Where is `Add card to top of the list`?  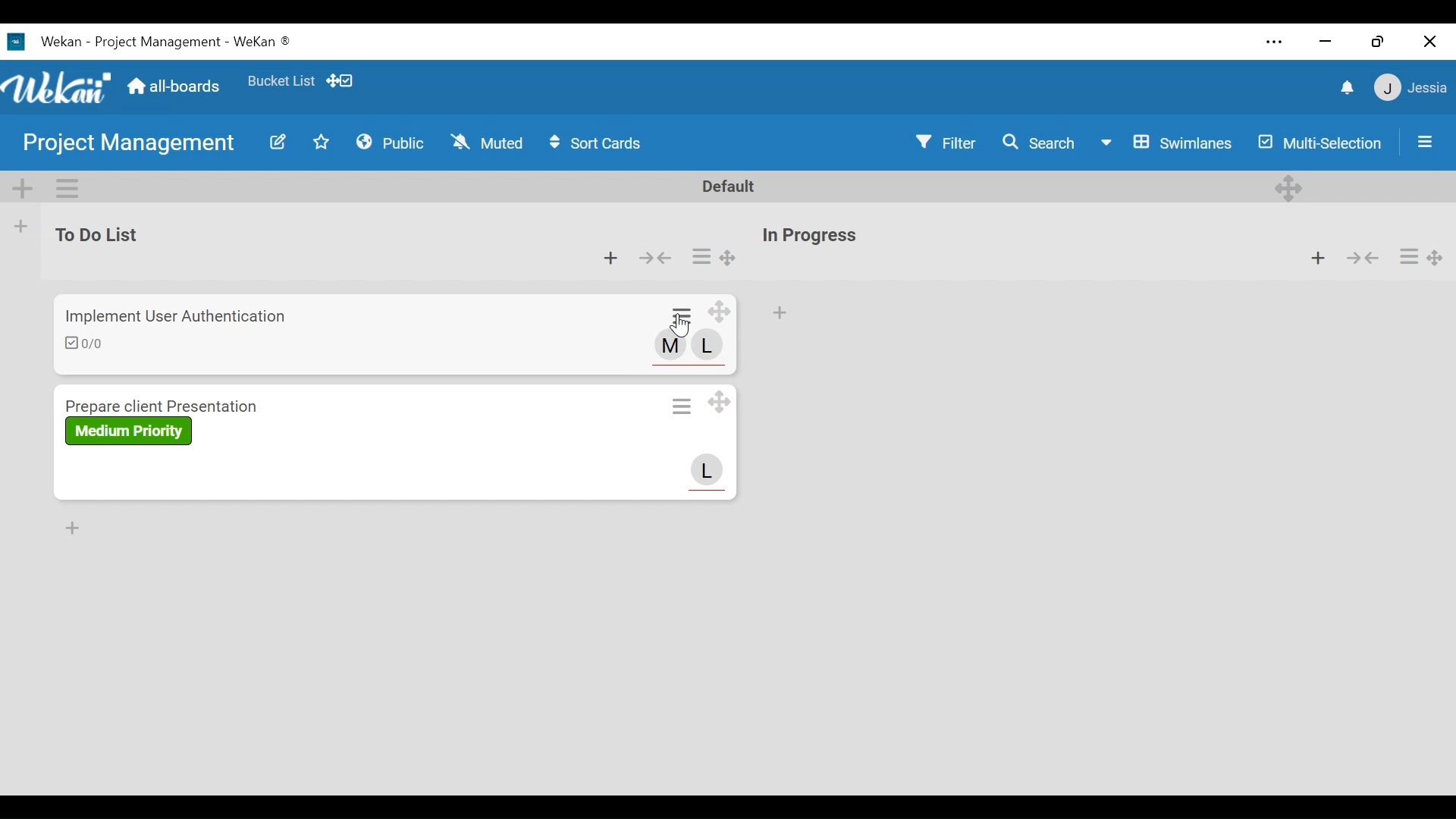
Add card to top of the list is located at coordinates (779, 313).